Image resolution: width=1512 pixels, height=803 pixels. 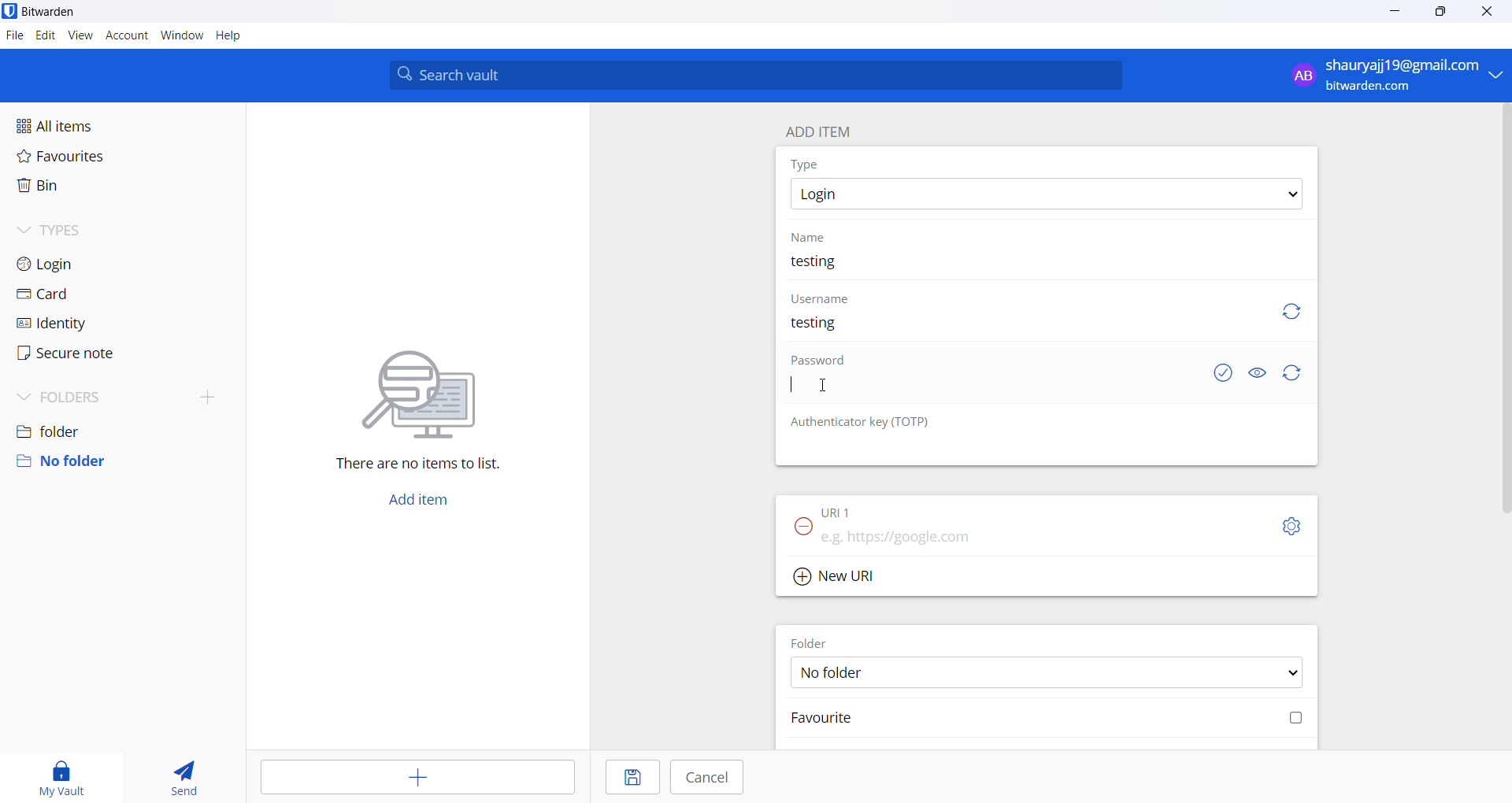 I want to click on help, so click(x=231, y=37).